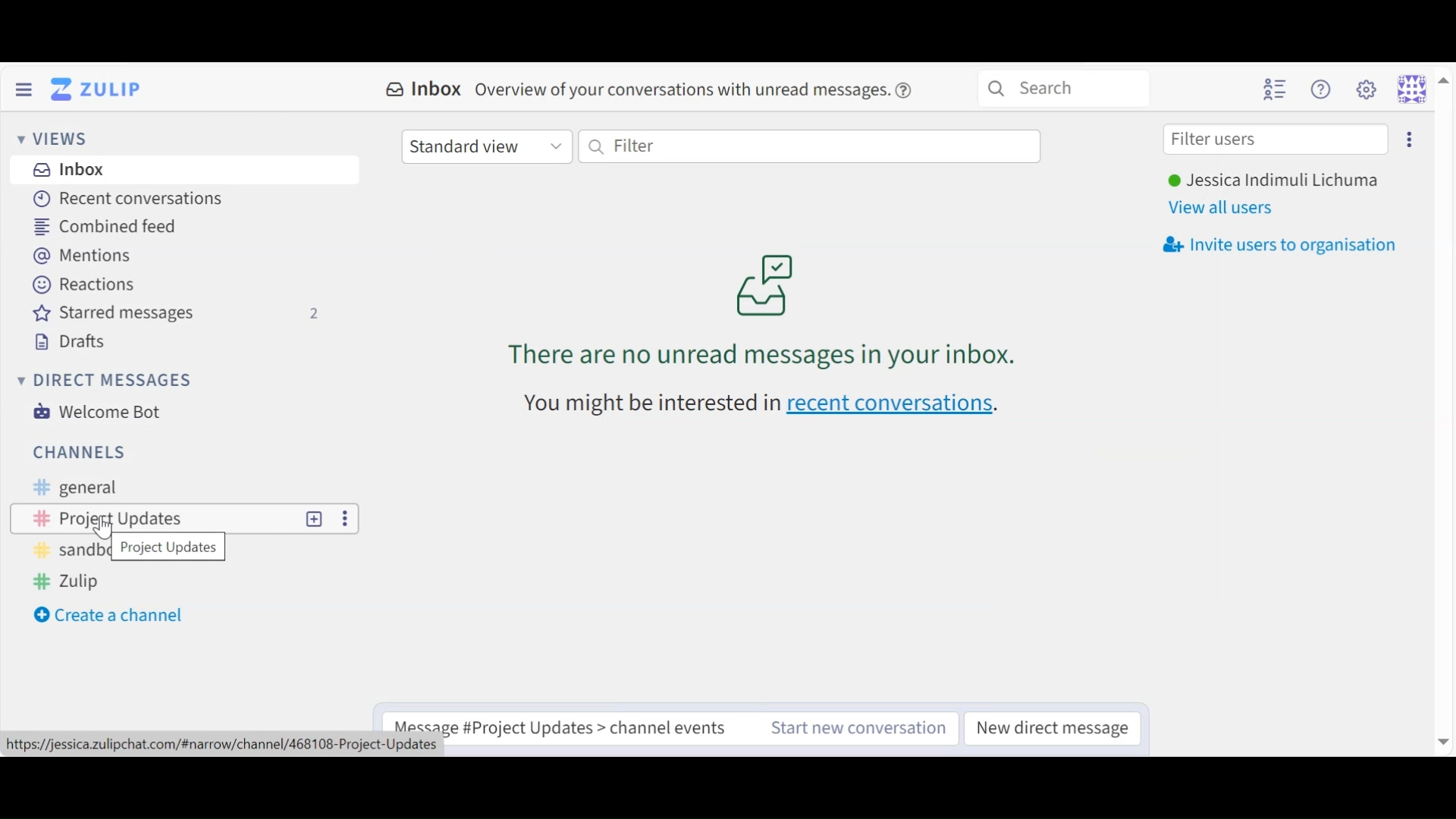  What do you see at coordinates (58, 139) in the screenshot?
I see `Views` at bounding box center [58, 139].